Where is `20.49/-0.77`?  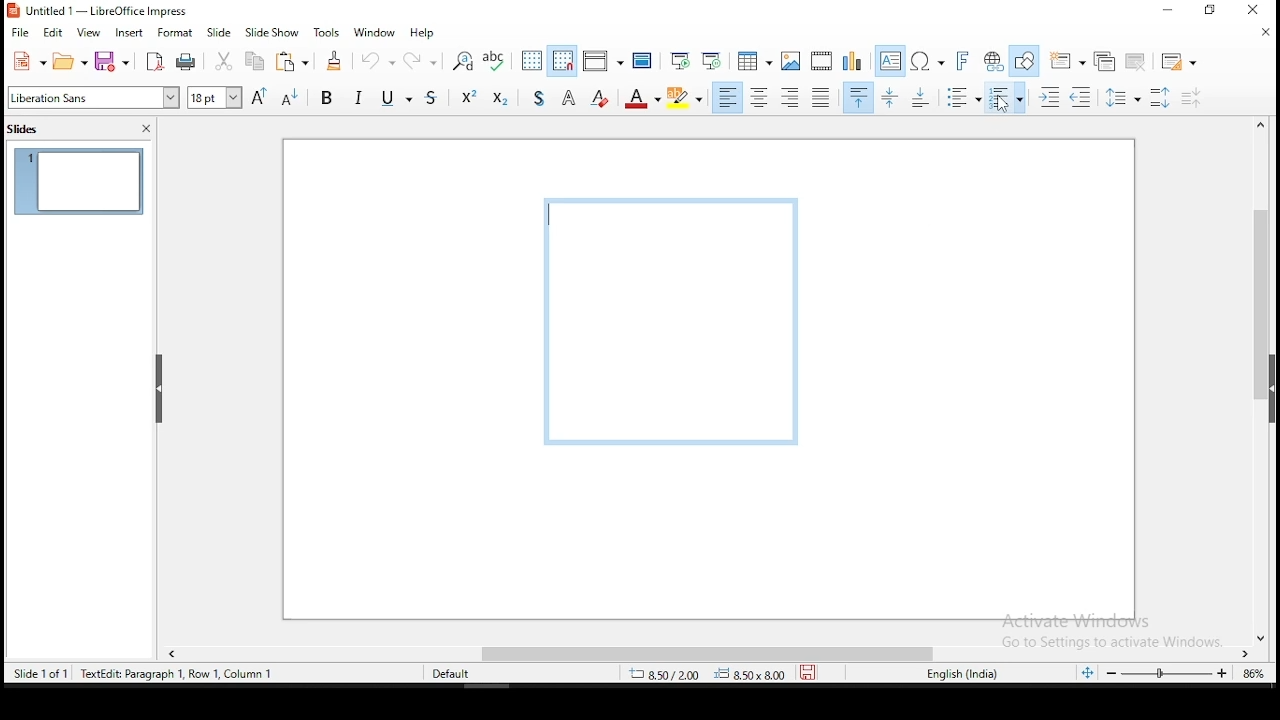 20.49/-0.77 is located at coordinates (669, 676).